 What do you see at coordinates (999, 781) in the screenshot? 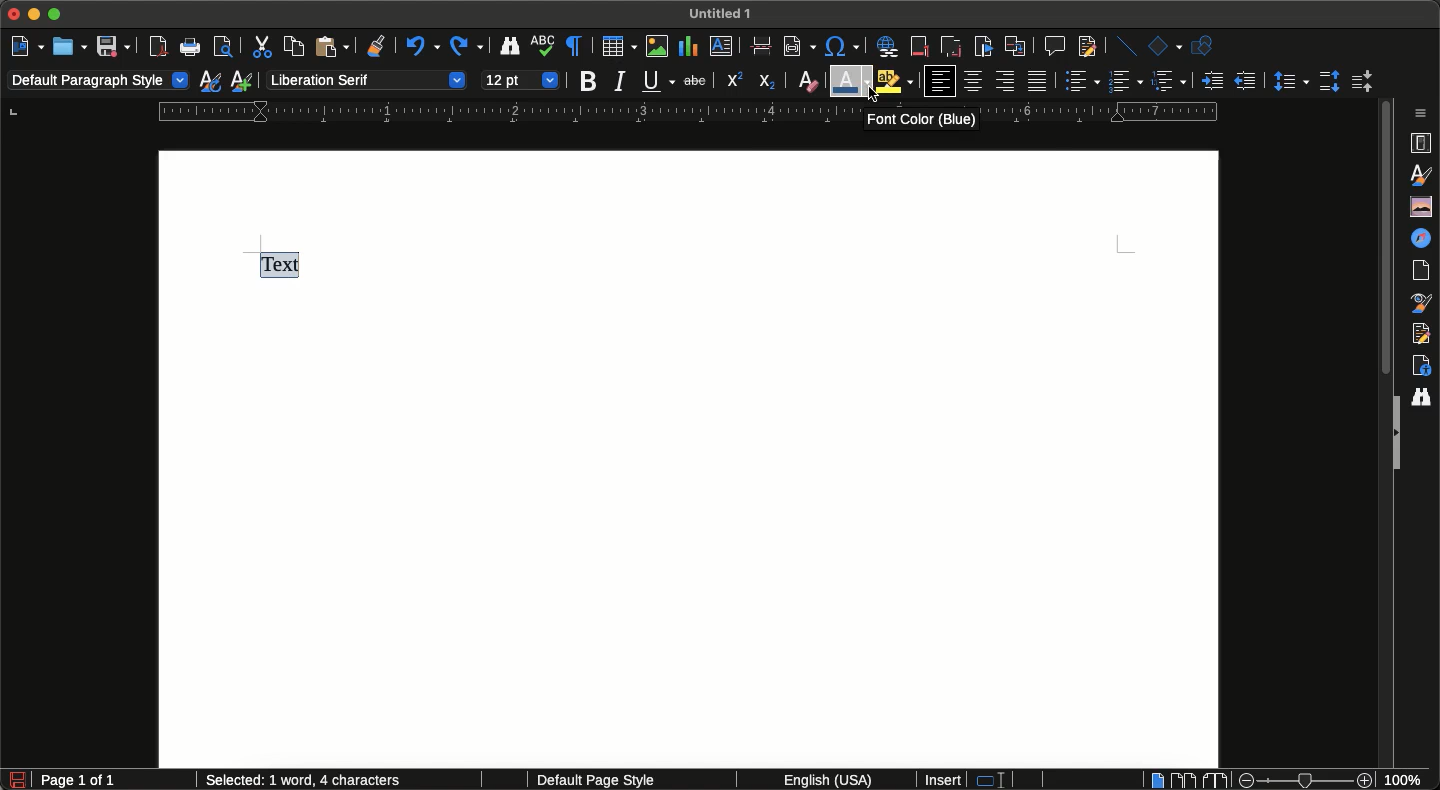
I see `Standard selection` at bounding box center [999, 781].